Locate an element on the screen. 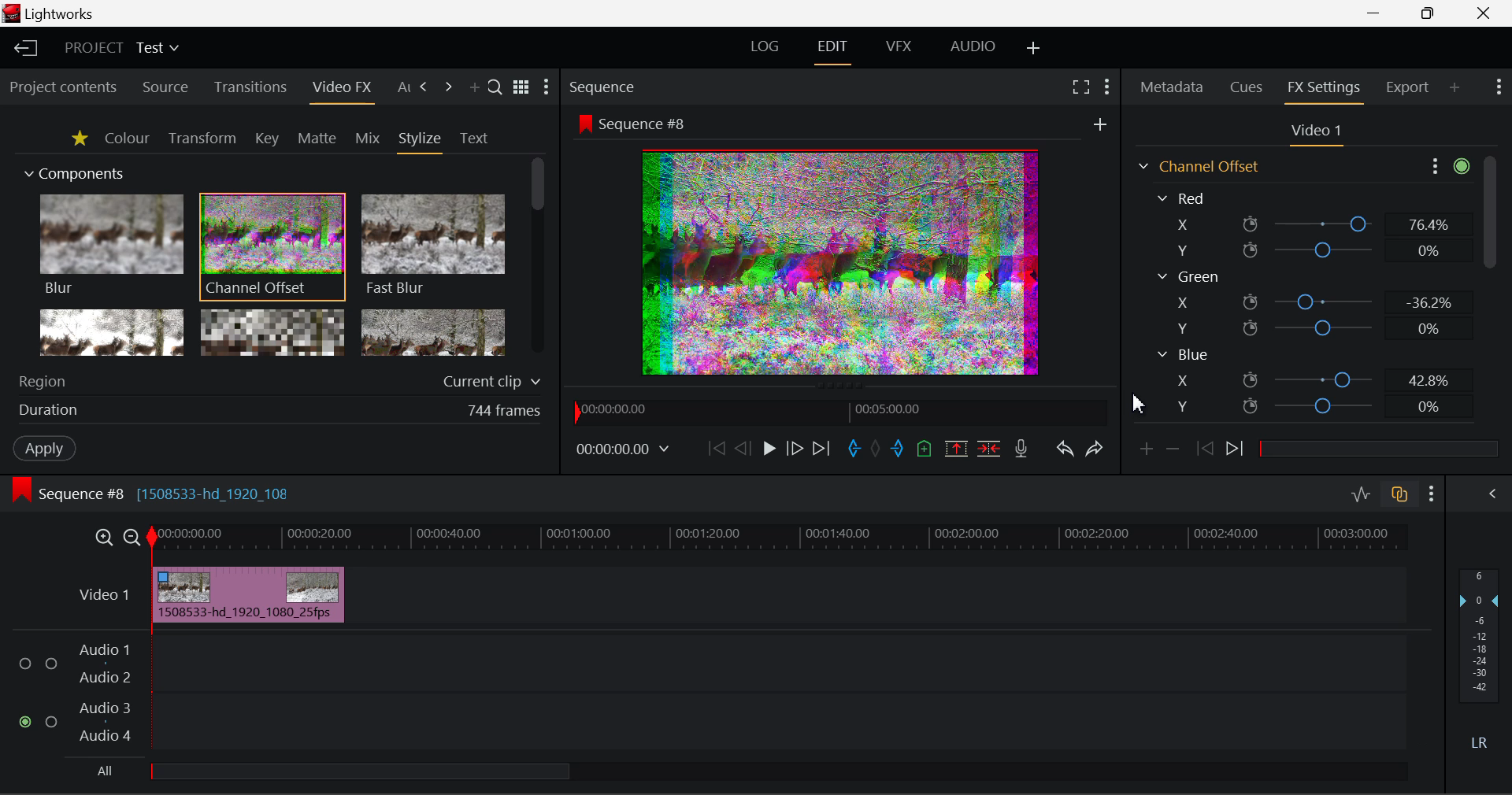  Restore Down is located at coordinates (1379, 14).